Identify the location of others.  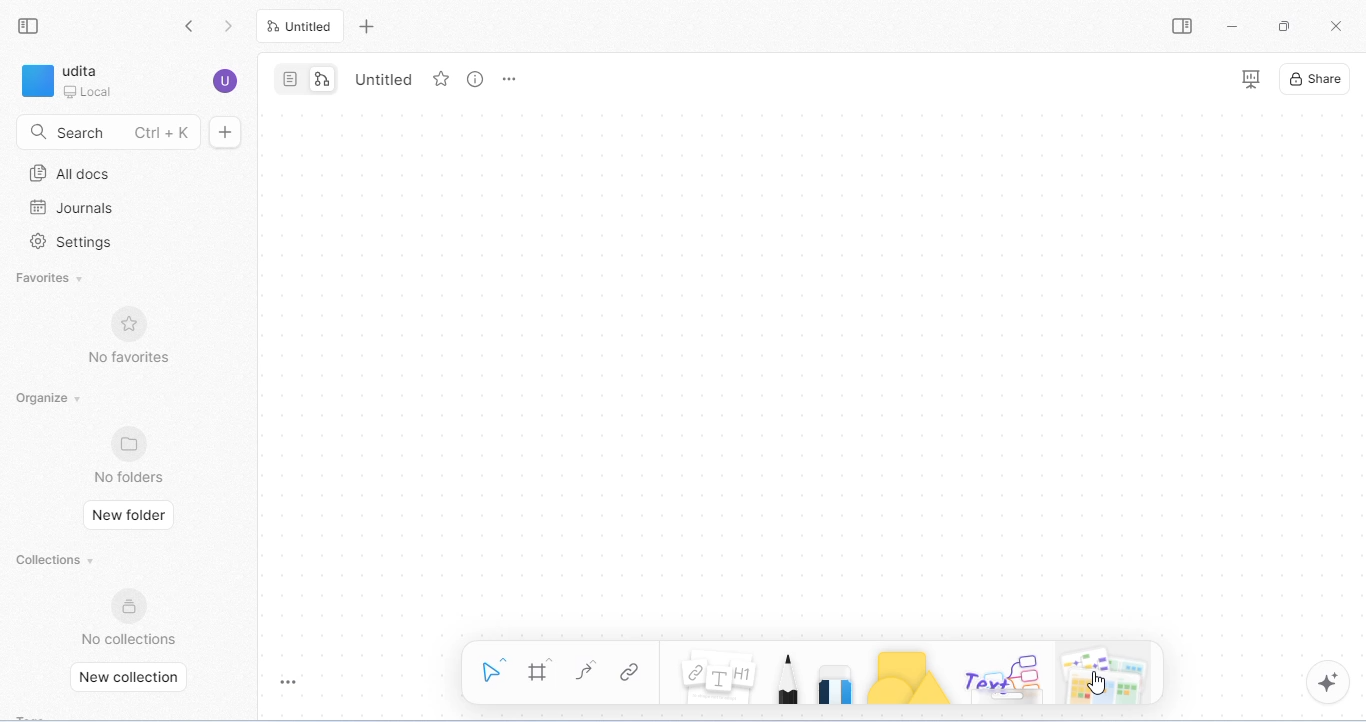
(1007, 677).